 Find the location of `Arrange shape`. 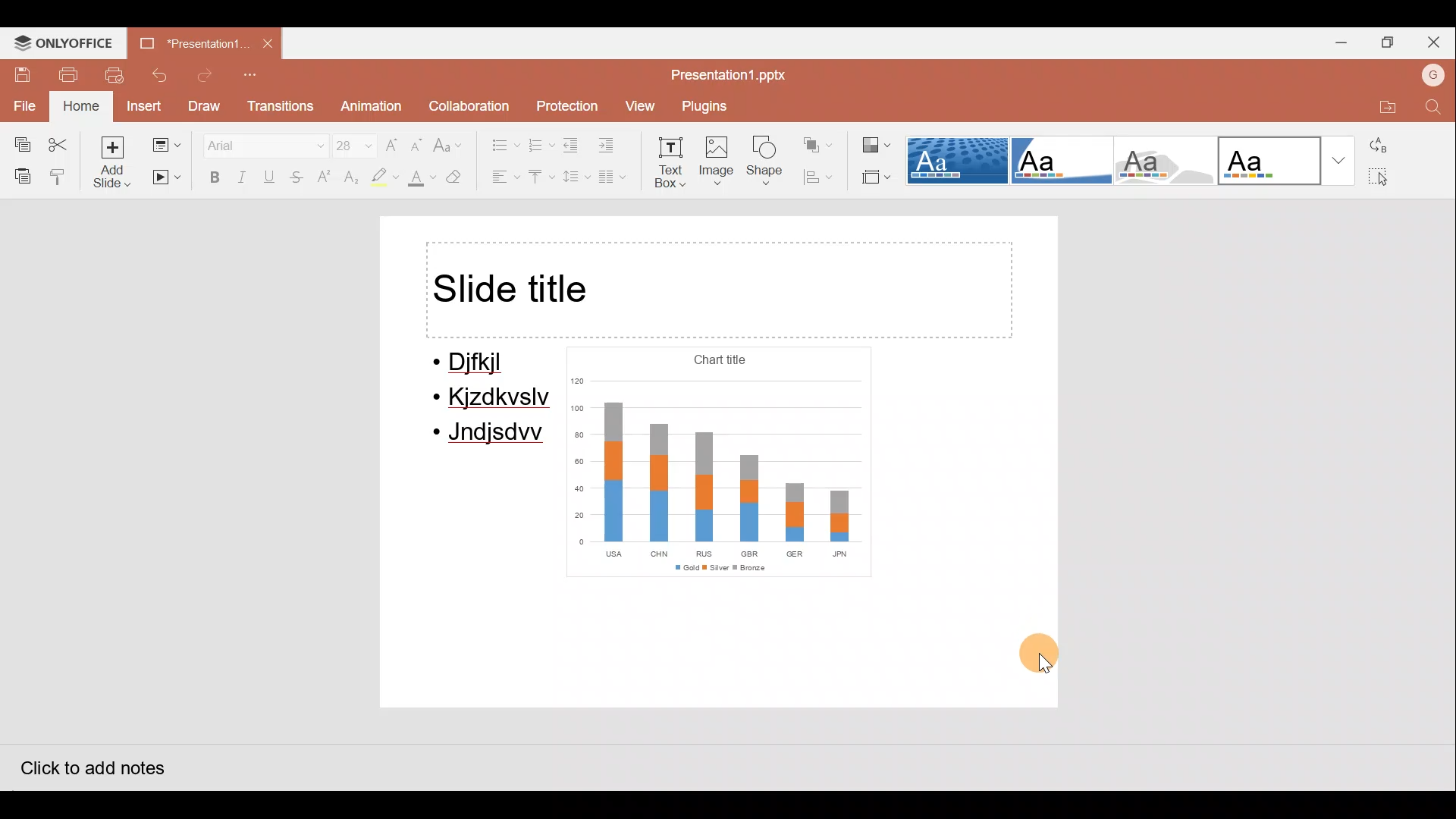

Arrange shape is located at coordinates (814, 144).